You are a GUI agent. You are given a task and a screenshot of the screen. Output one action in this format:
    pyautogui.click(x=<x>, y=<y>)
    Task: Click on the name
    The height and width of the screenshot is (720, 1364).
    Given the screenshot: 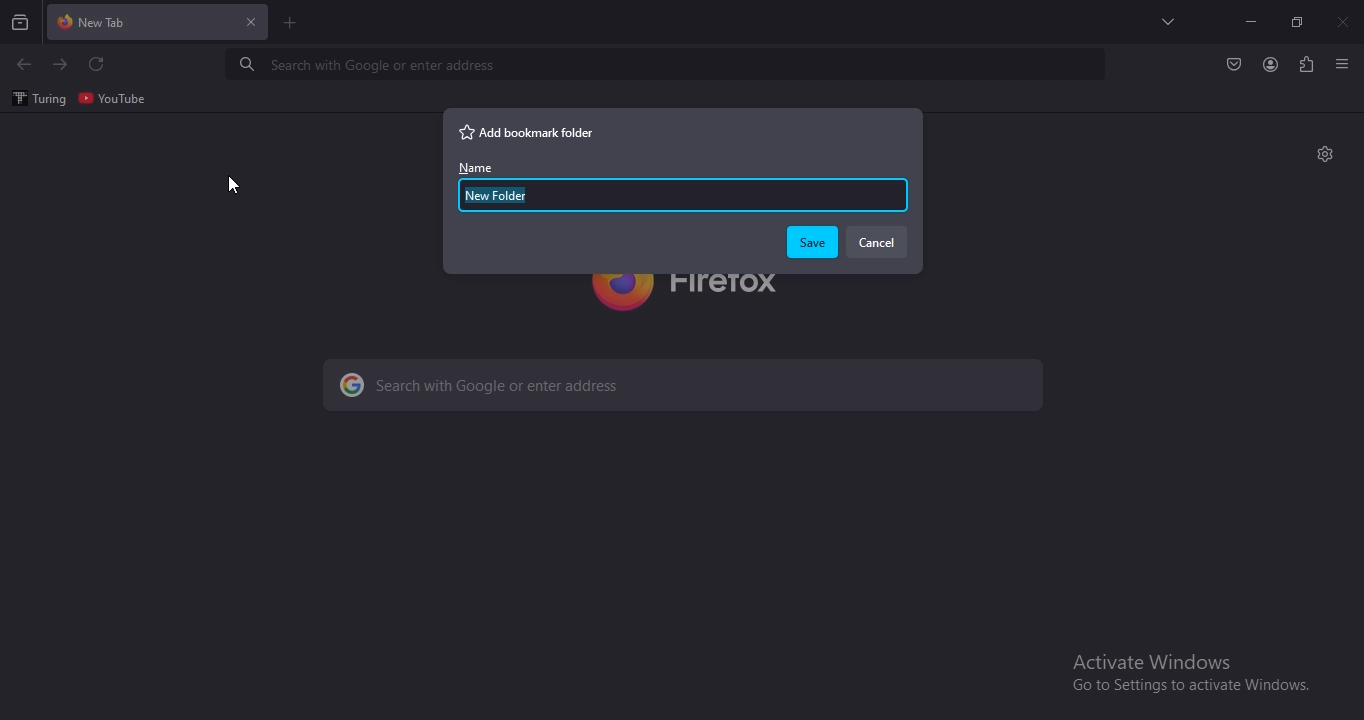 What is the action you would take?
    pyautogui.click(x=475, y=166)
    